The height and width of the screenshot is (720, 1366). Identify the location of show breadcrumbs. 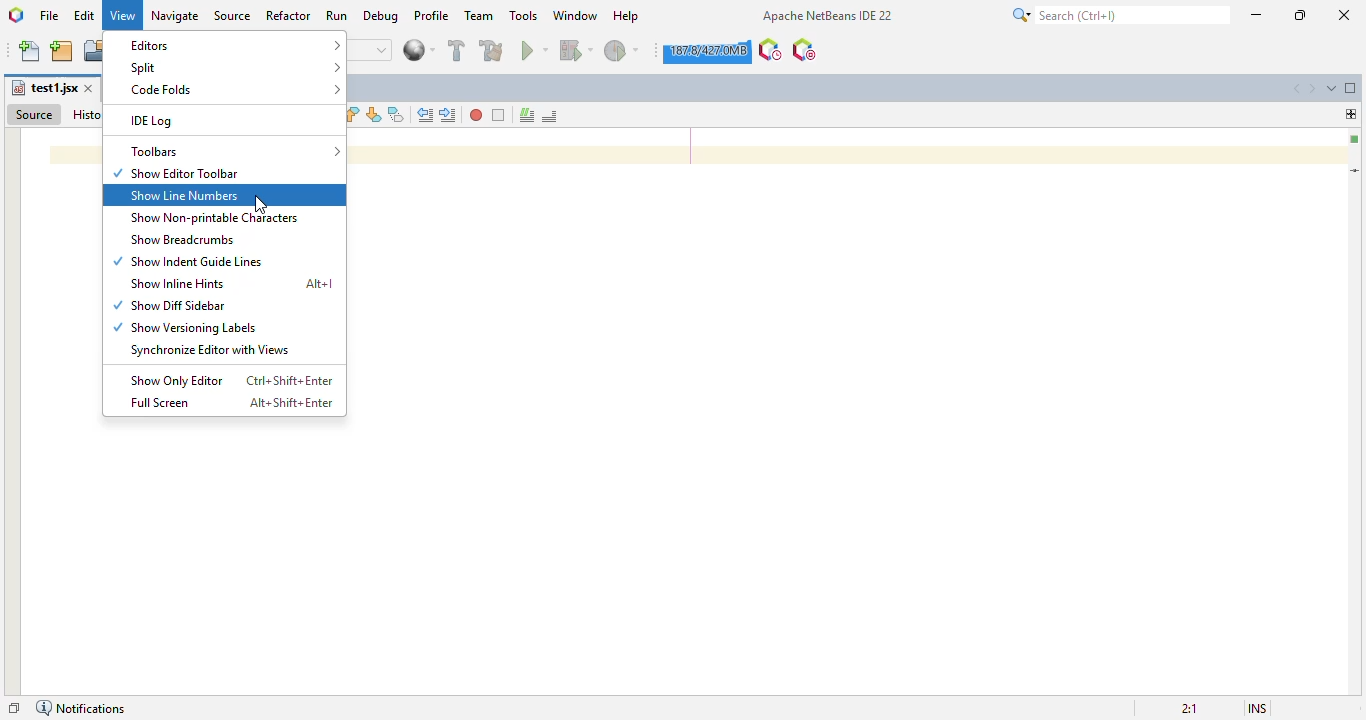
(180, 239).